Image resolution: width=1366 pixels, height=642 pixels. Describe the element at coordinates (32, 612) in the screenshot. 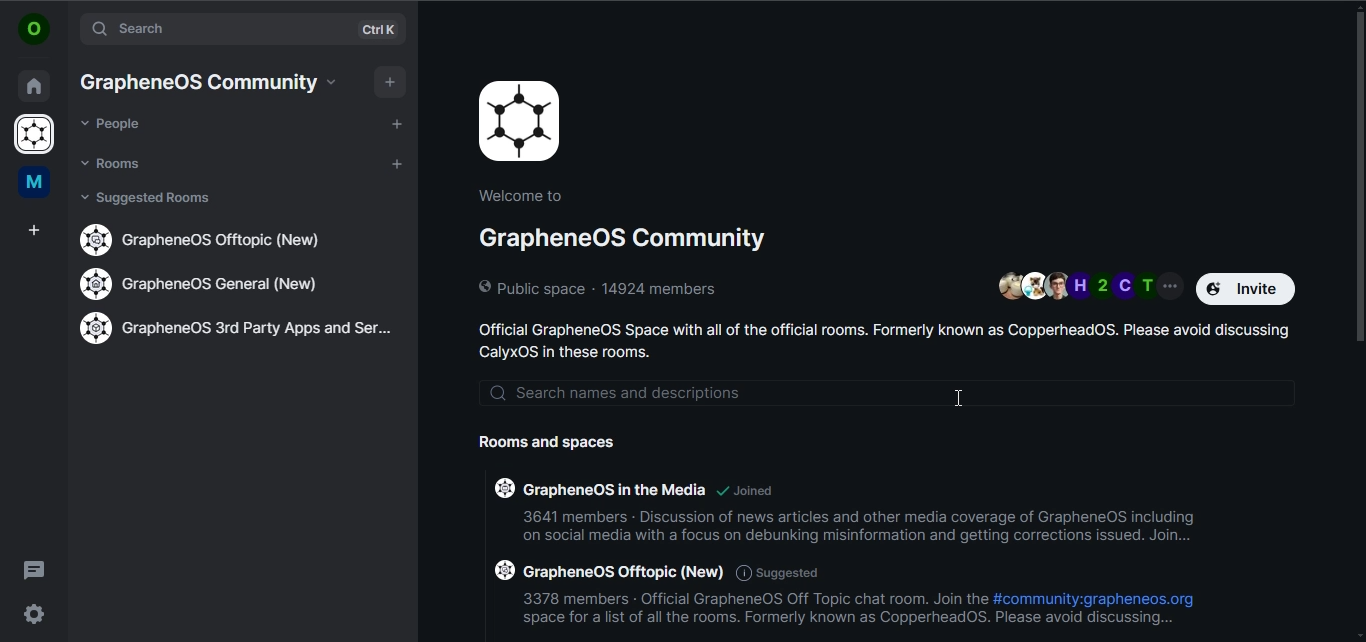

I see `quicker settings` at that location.